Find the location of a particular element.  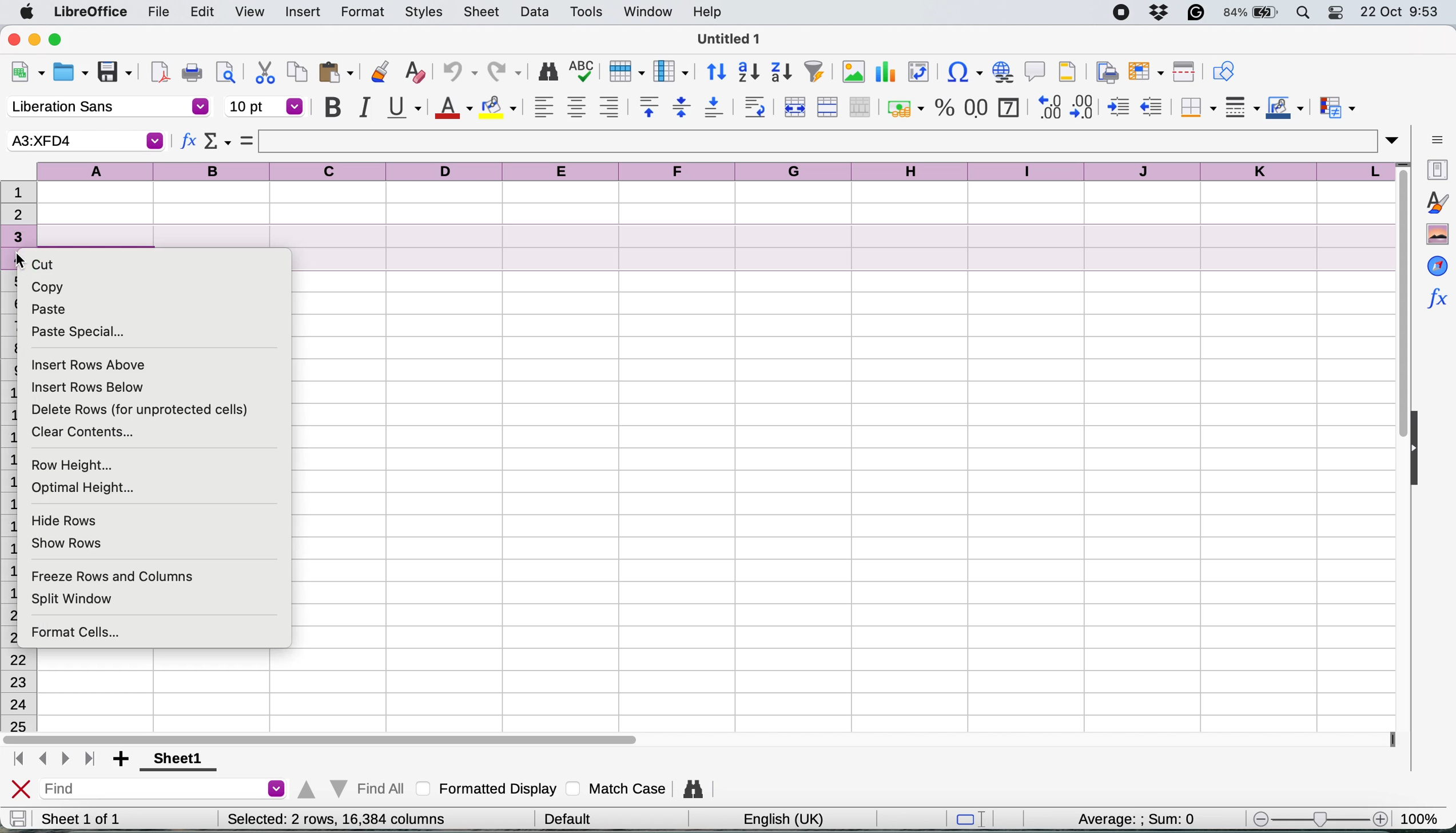

columns is located at coordinates (718, 169).